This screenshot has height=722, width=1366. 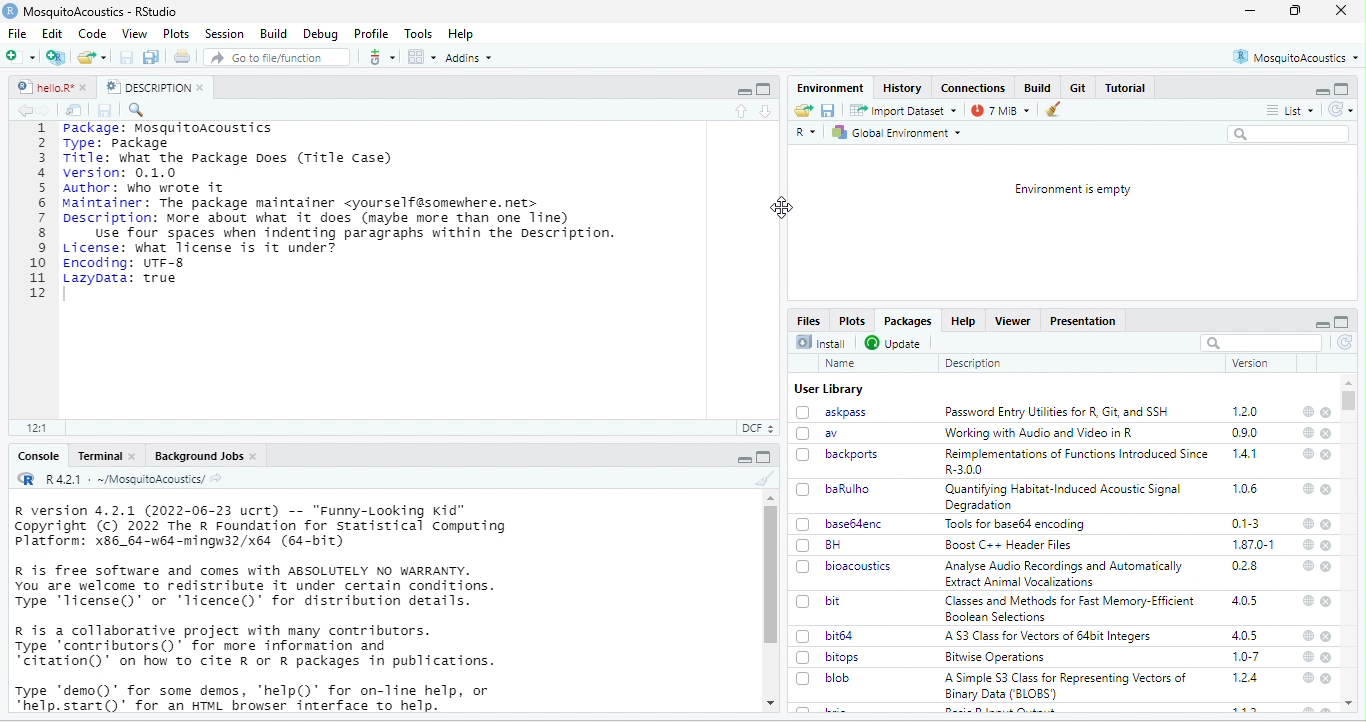 What do you see at coordinates (824, 433) in the screenshot?
I see `av` at bounding box center [824, 433].